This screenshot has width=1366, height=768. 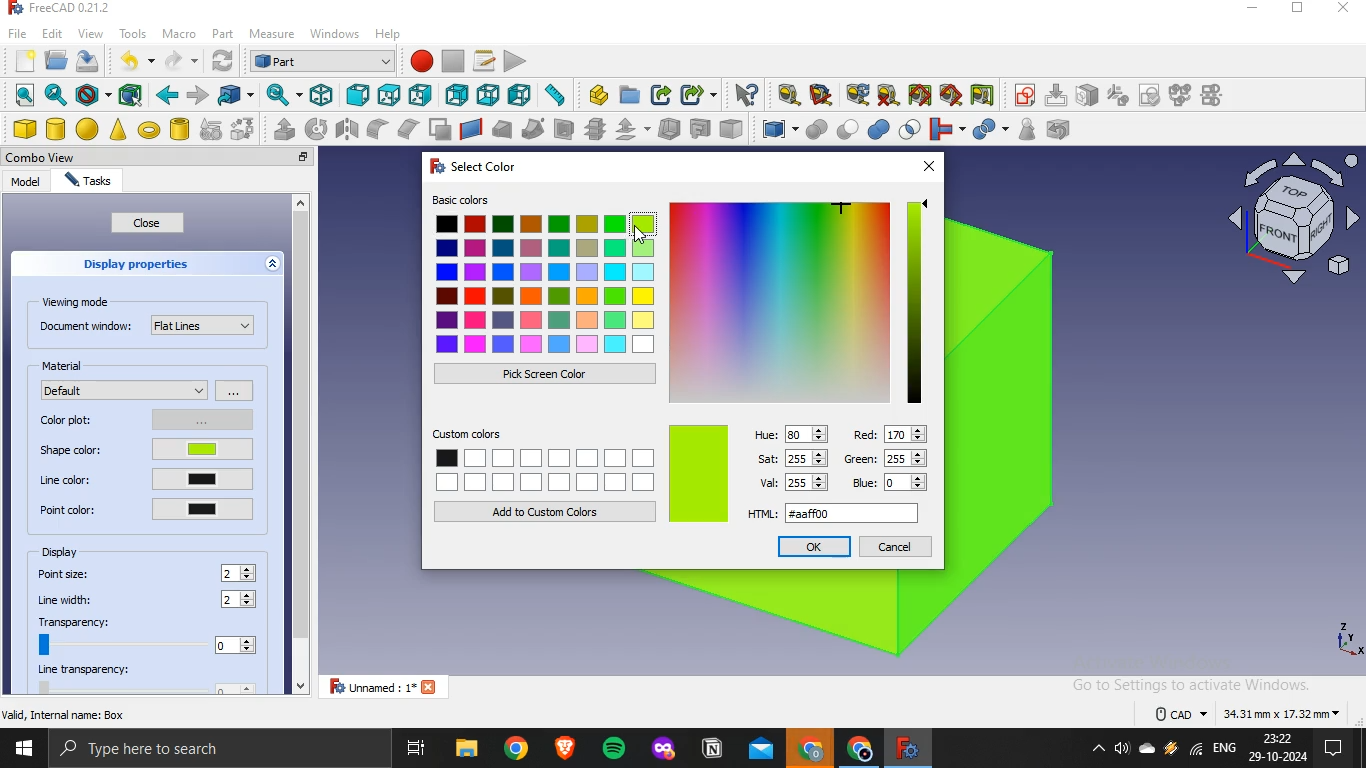 What do you see at coordinates (420, 96) in the screenshot?
I see `right` at bounding box center [420, 96].